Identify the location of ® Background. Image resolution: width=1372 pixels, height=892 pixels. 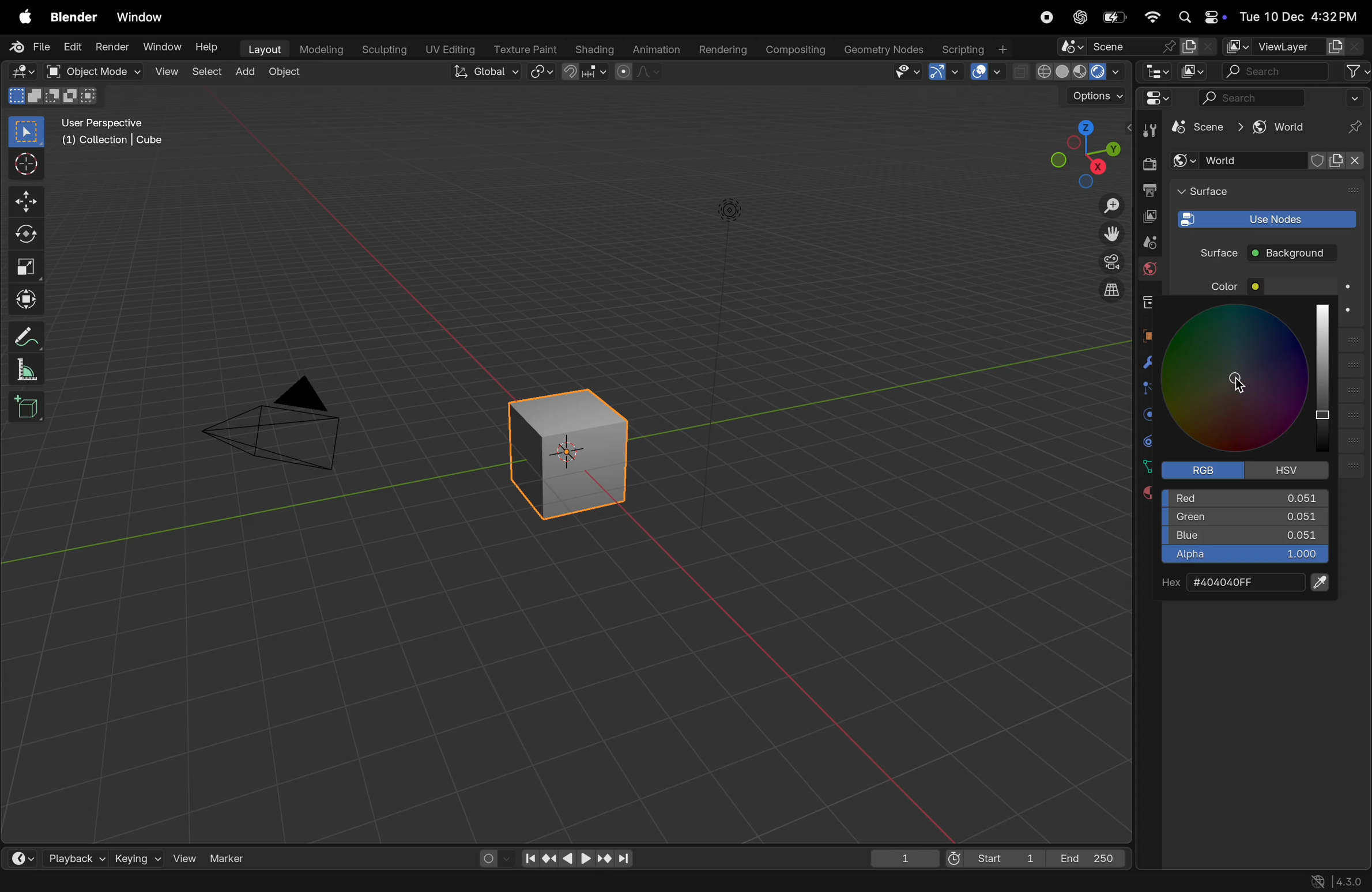
(1298, 253).